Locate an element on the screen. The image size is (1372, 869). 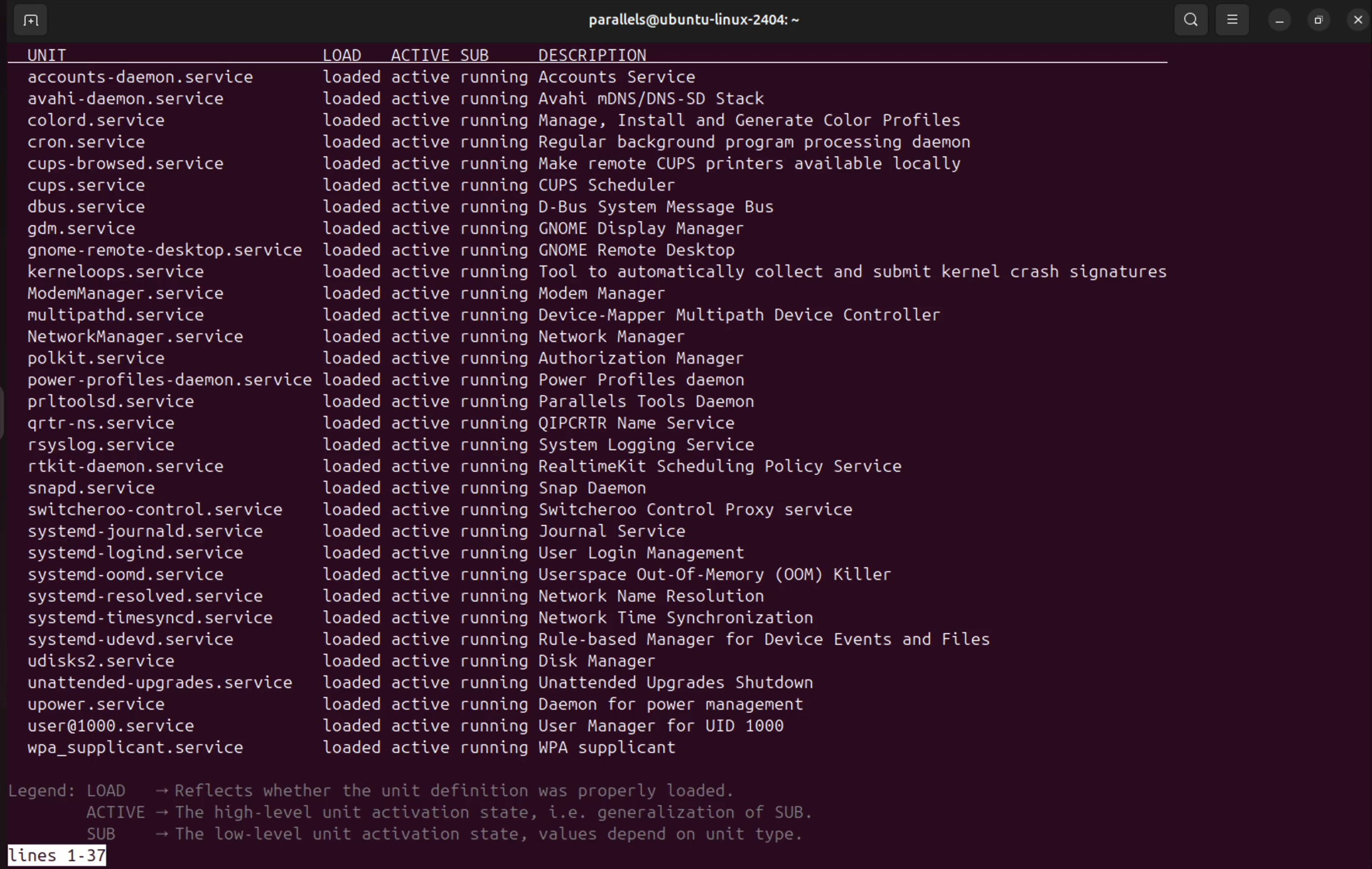
active running  is located at coordinates (656, 470).